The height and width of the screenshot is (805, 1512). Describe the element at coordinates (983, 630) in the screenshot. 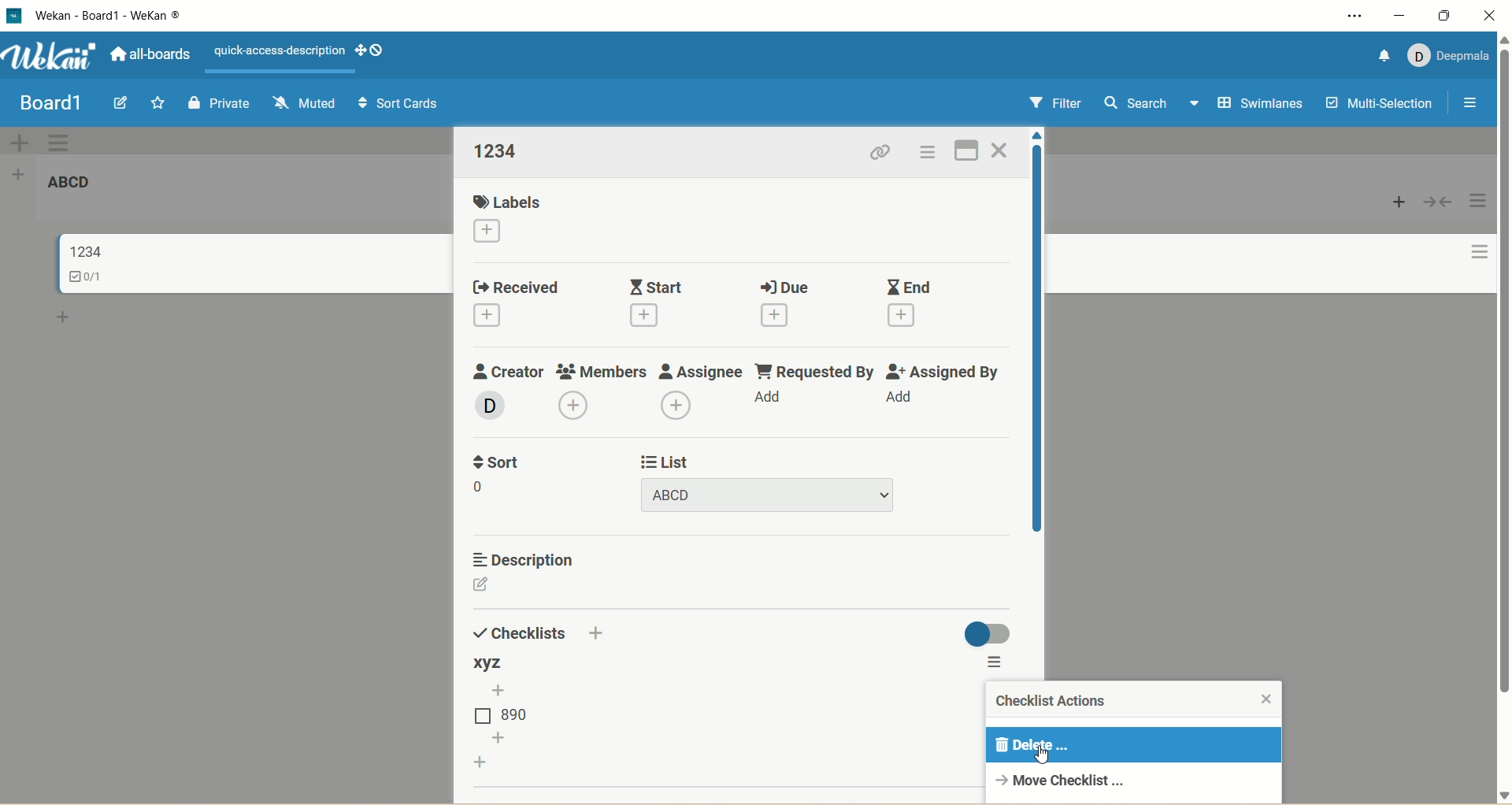

I see `toggle key` at that location.